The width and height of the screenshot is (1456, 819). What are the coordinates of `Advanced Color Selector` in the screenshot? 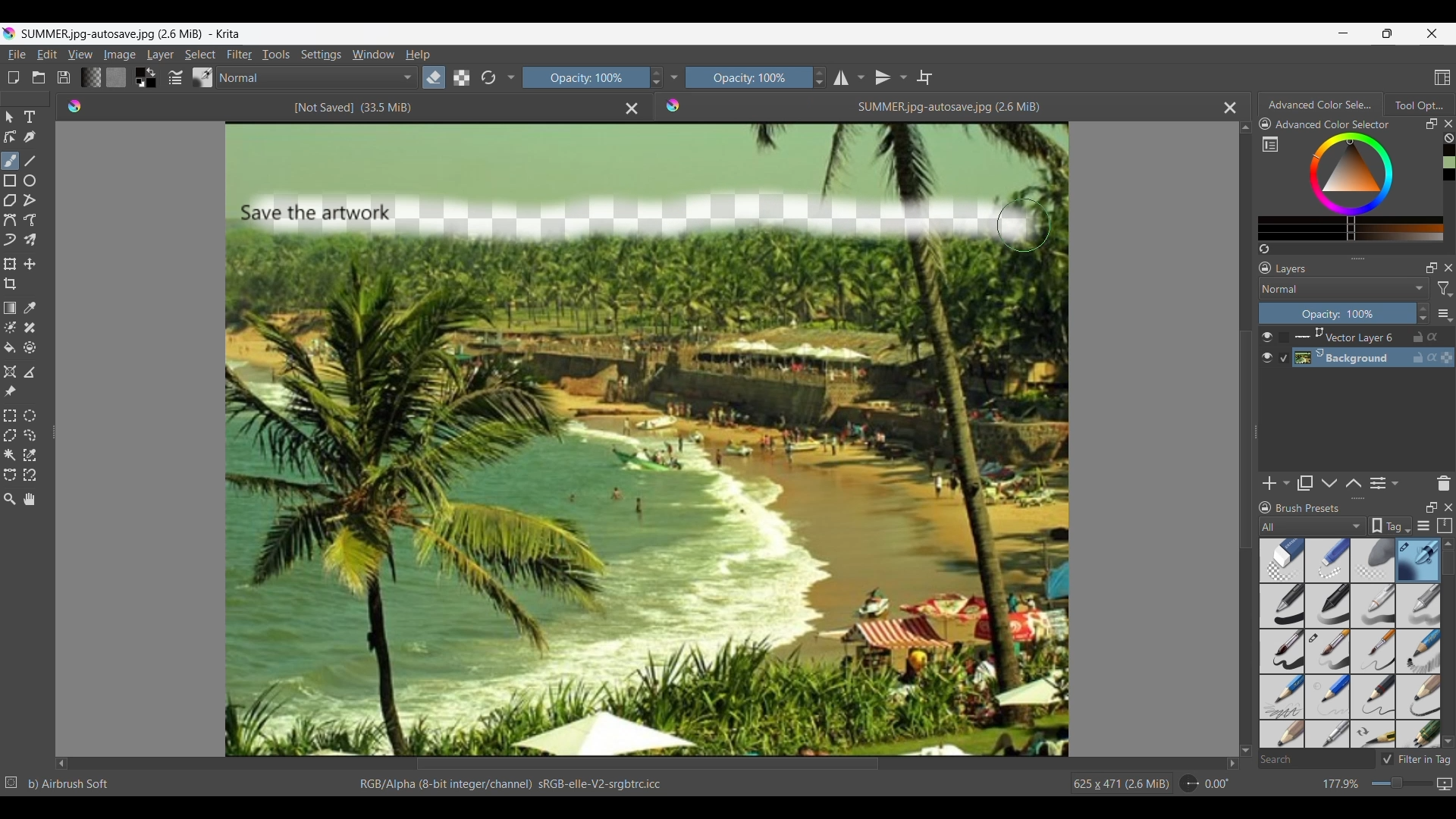 It's located at (1336, 125).